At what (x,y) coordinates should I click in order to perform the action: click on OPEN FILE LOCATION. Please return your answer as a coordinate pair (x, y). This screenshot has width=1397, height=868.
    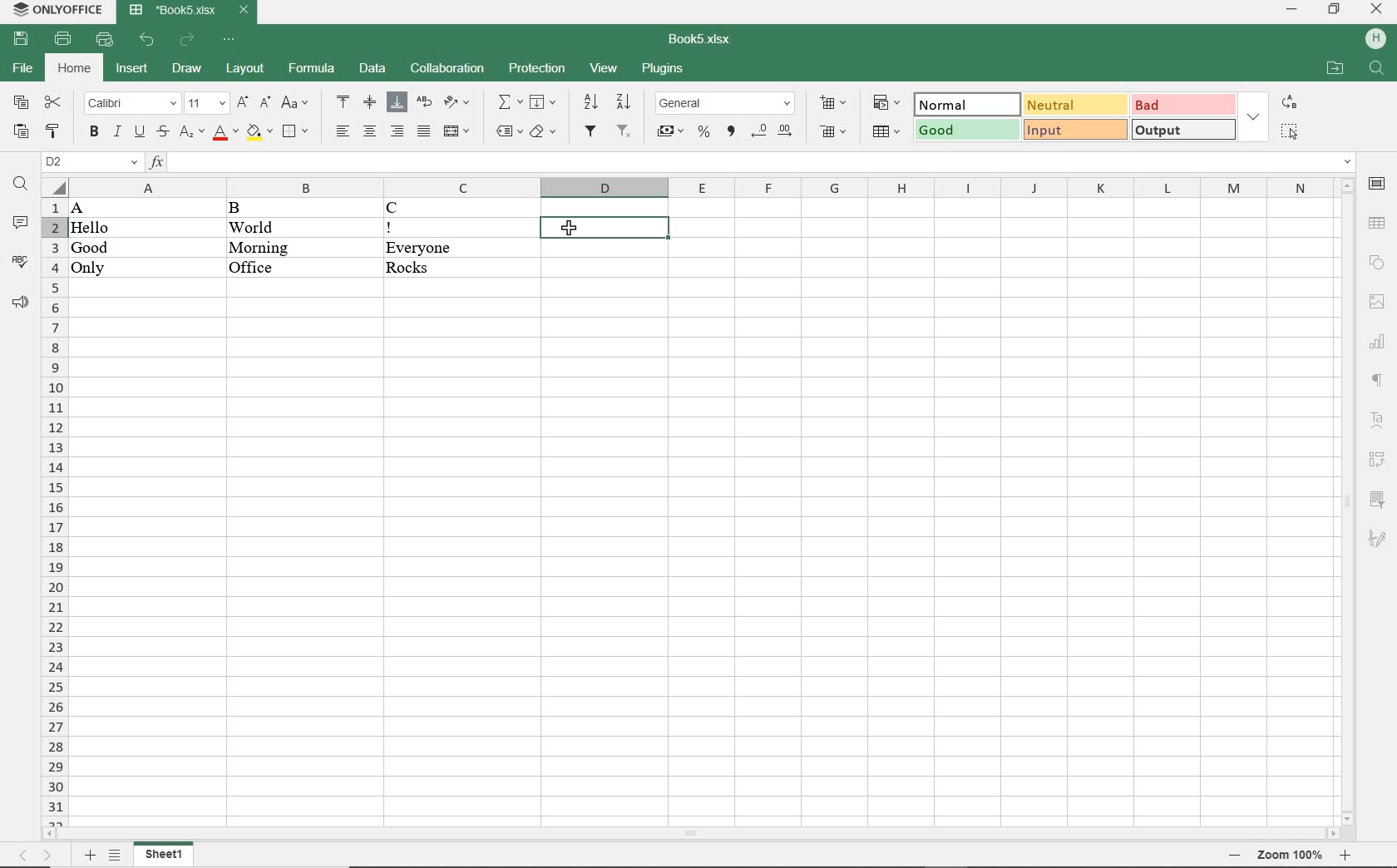
    Looking at the image, I should click on (1335, 69).